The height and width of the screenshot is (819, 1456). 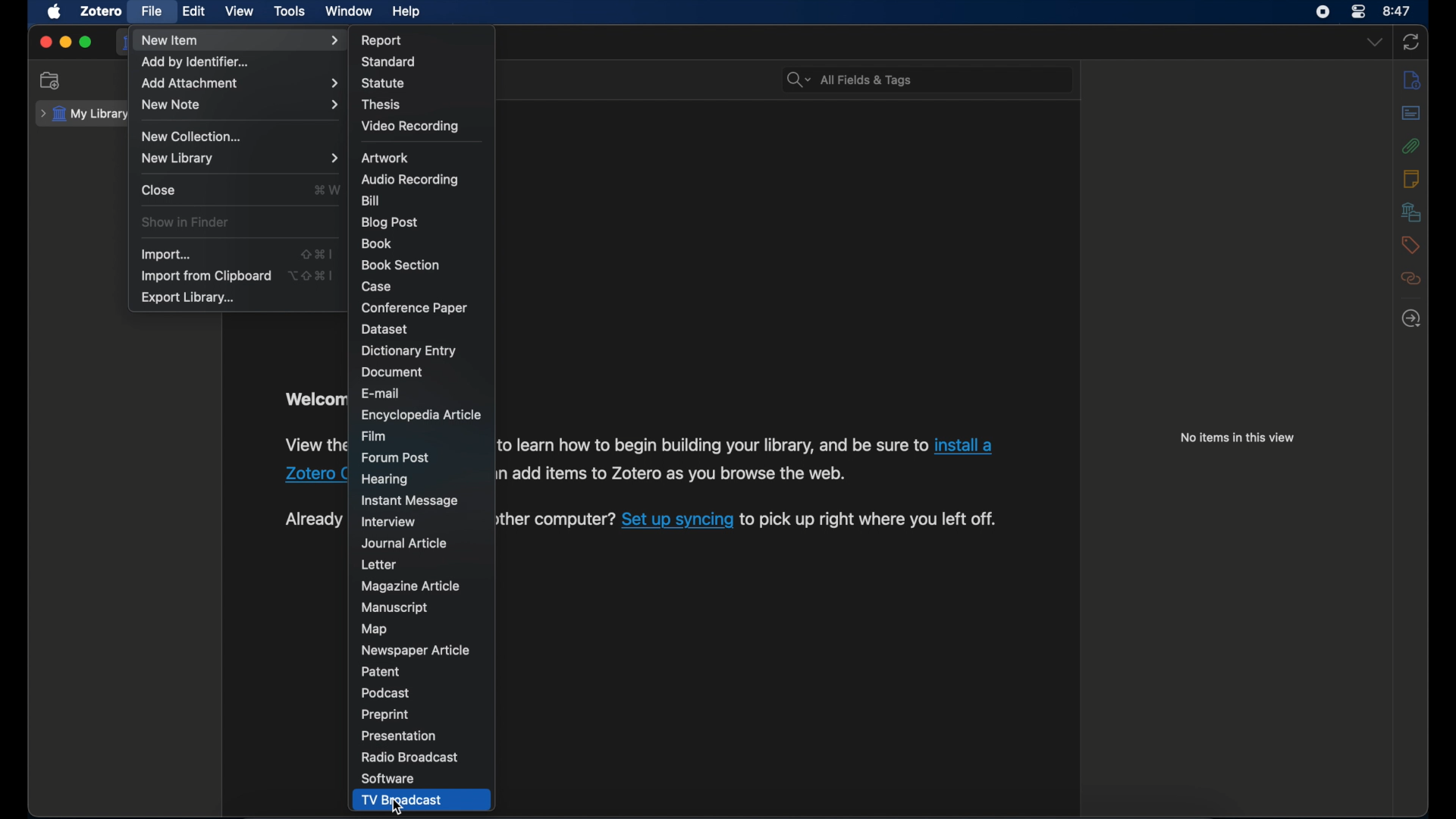 I want to click on View the Quick Start Guide to learn how to begin building your library, and be sure to install a
Zotero Connector so you can add items to Zotero as you browse the web., so click(x=676, y=475).